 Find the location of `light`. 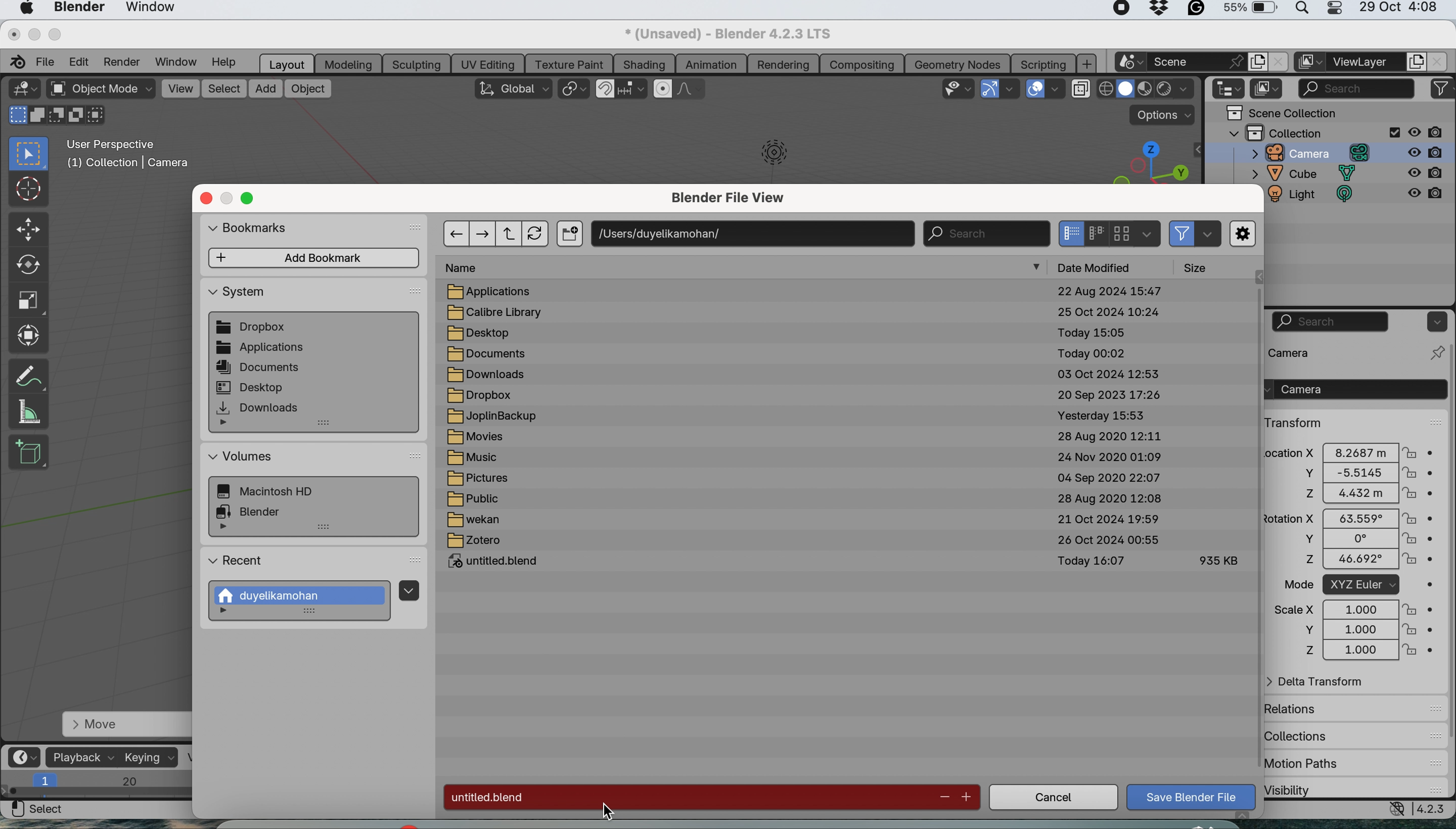

light is located at coordinates (1318, 196).